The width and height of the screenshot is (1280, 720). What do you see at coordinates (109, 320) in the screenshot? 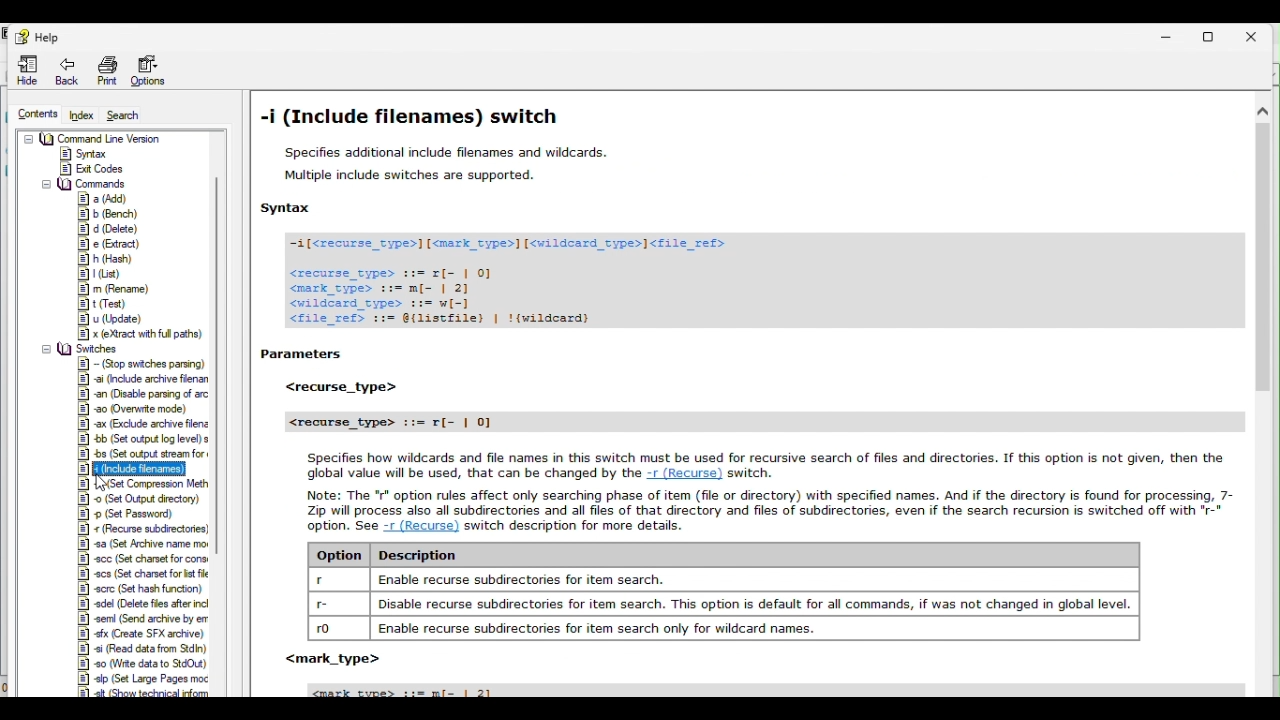
I see `update` at bounding box center [109, 320].